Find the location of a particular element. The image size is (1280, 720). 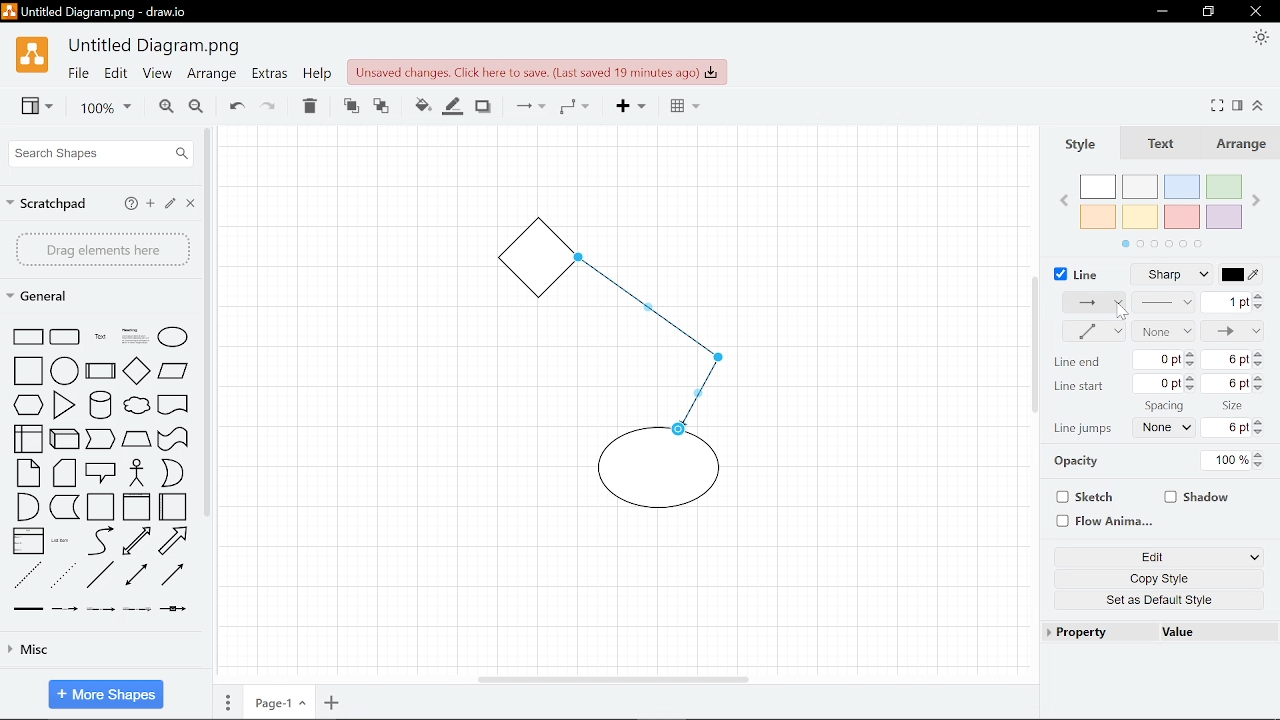

shape is located at coordinates (102, 405).